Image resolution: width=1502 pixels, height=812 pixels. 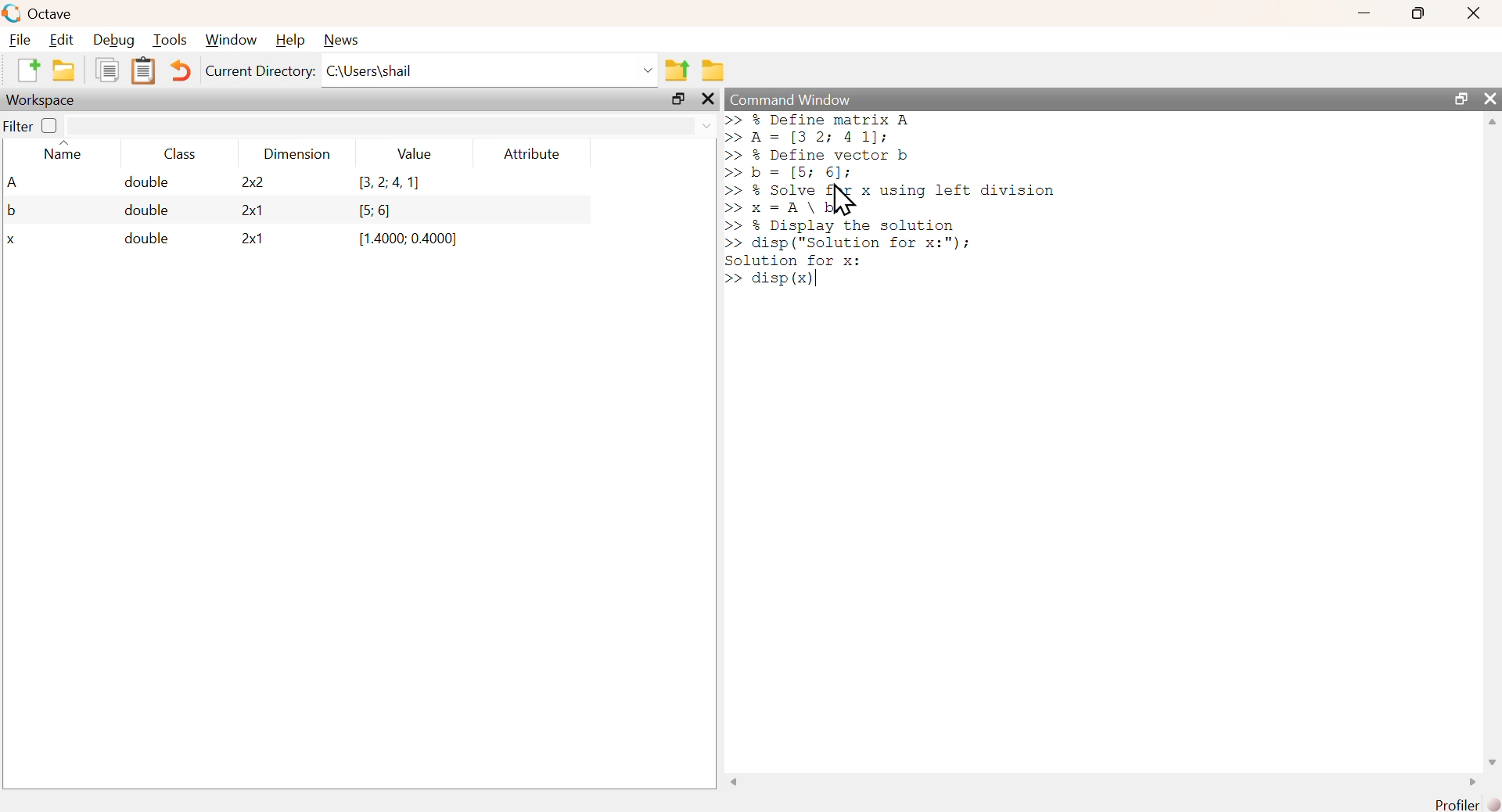 I want to click on new script, so click(x=30, y=72).